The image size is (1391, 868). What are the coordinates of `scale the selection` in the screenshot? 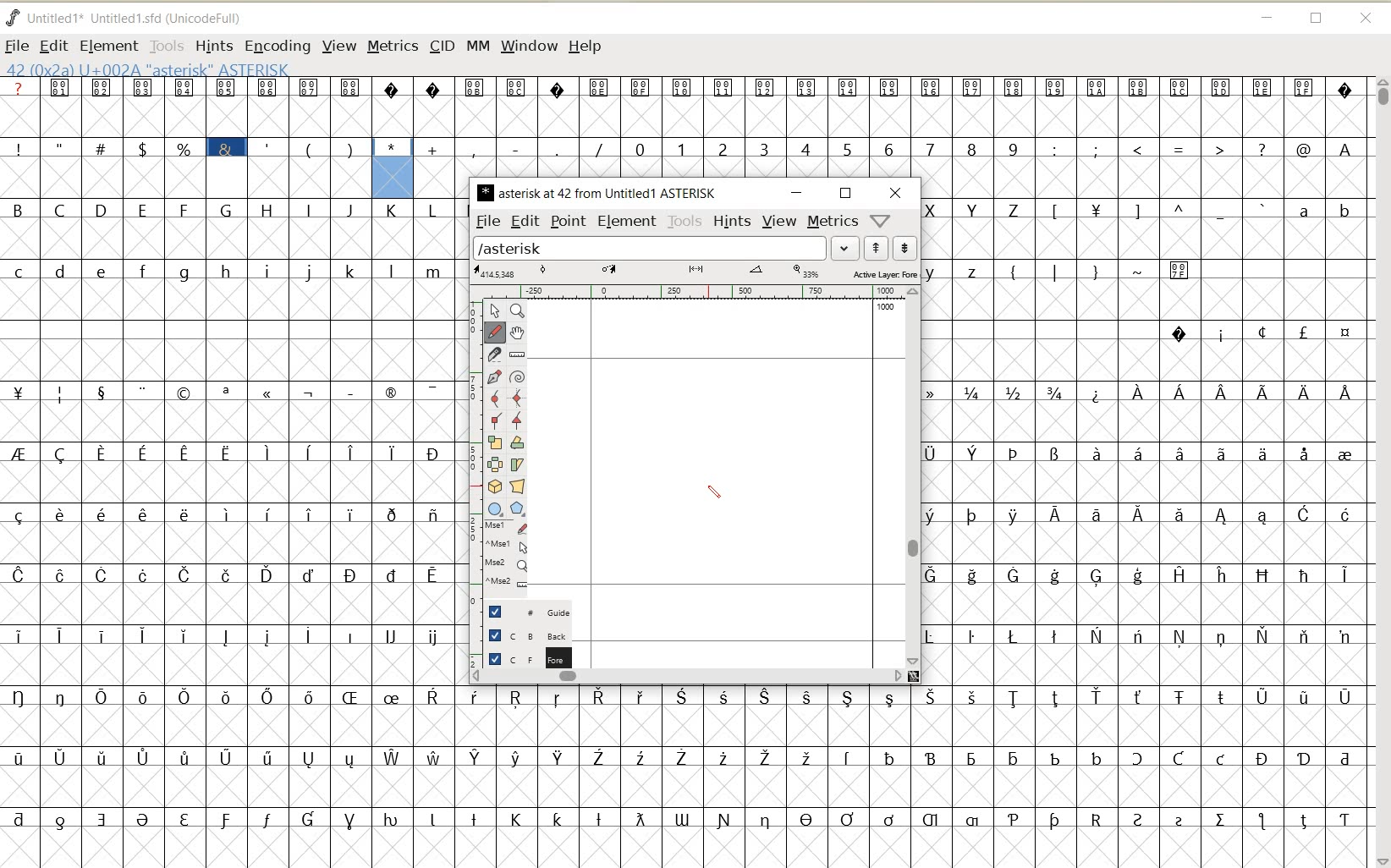 It's located at (492, 442).